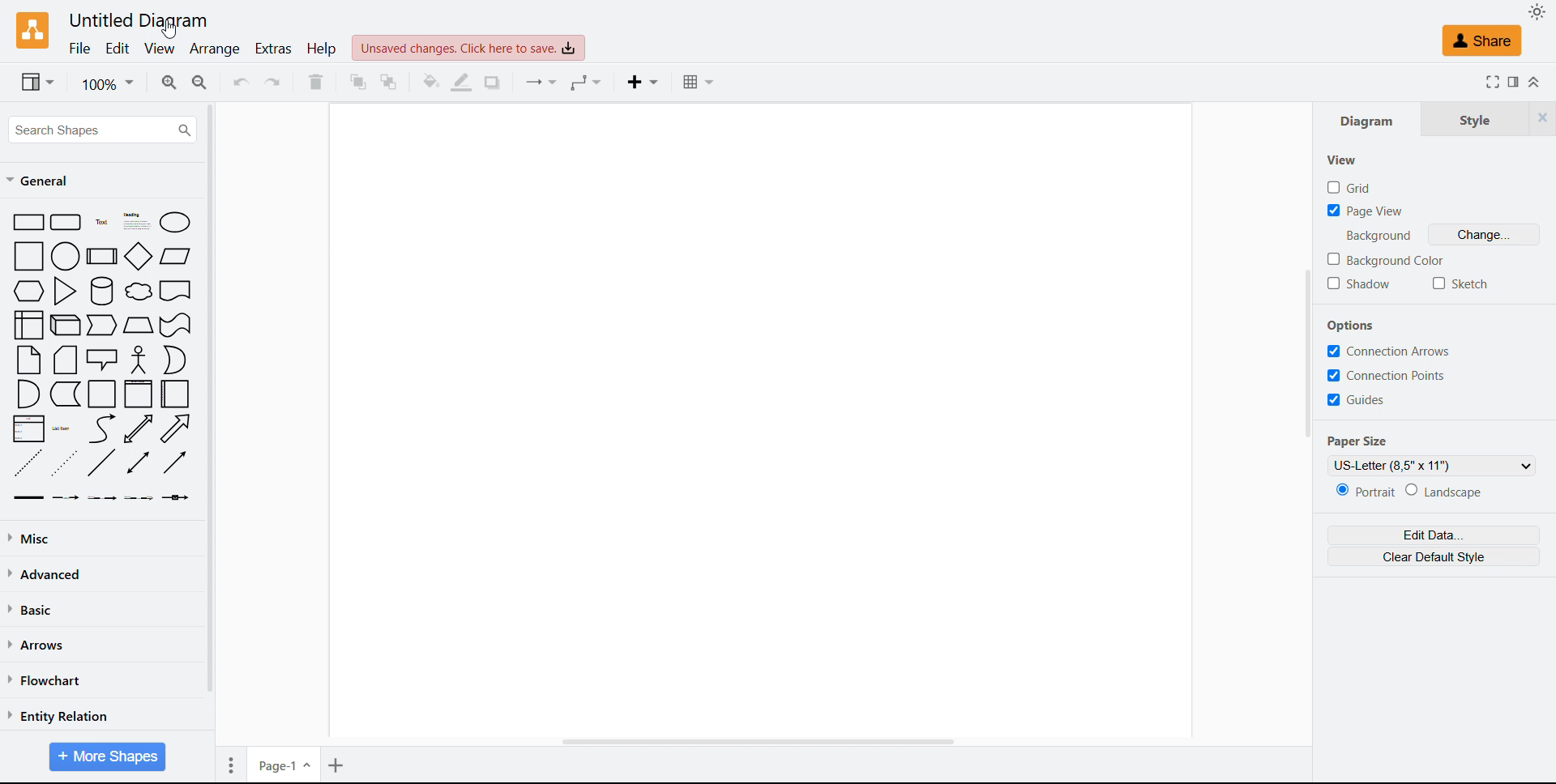 The width and height of the screenshot is (1556, 784). Describe the element at coordinates (1383, 236) in the screenshot. I see `text` at that location.